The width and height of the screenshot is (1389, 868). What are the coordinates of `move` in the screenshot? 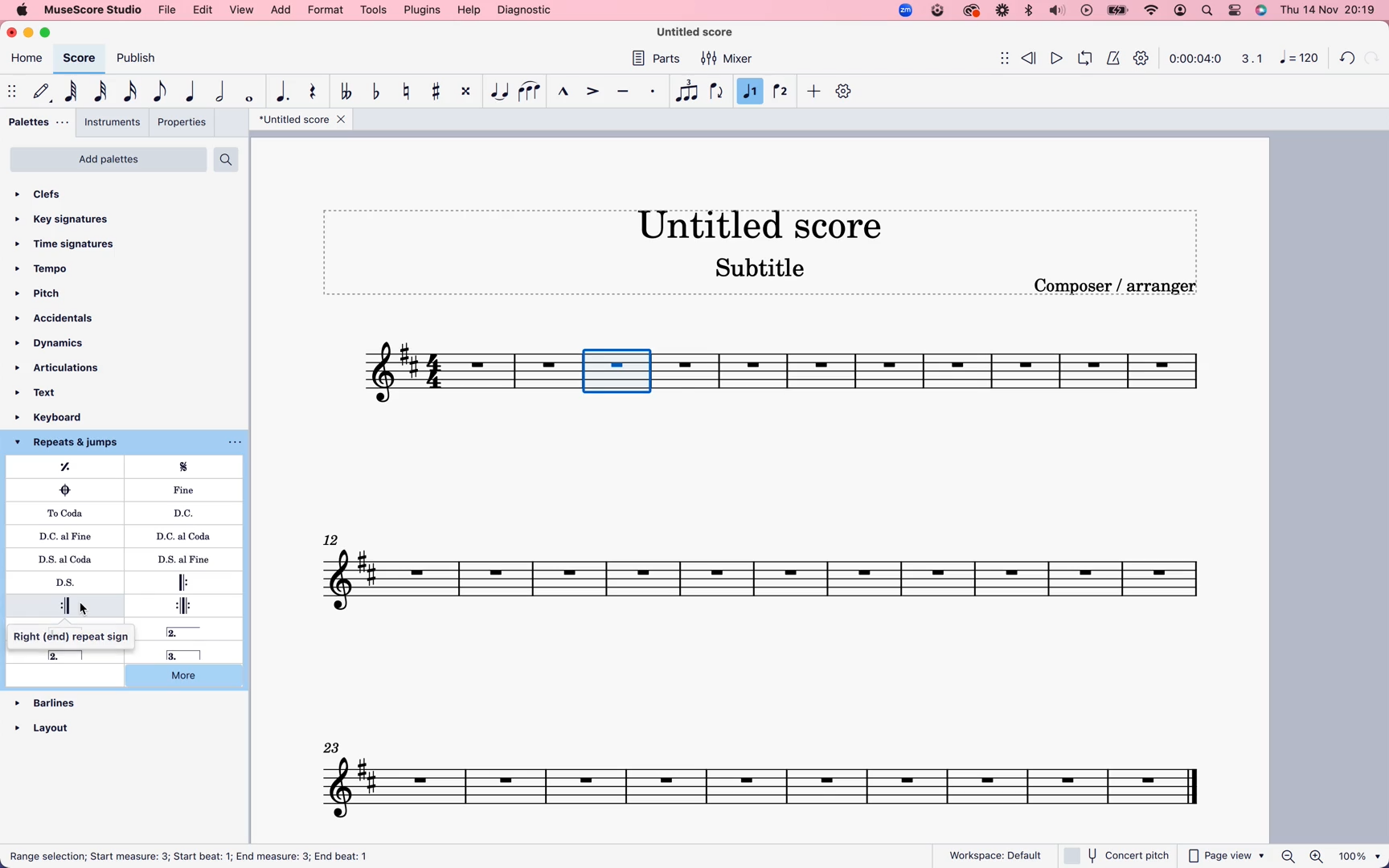 It's located at (11, 88).